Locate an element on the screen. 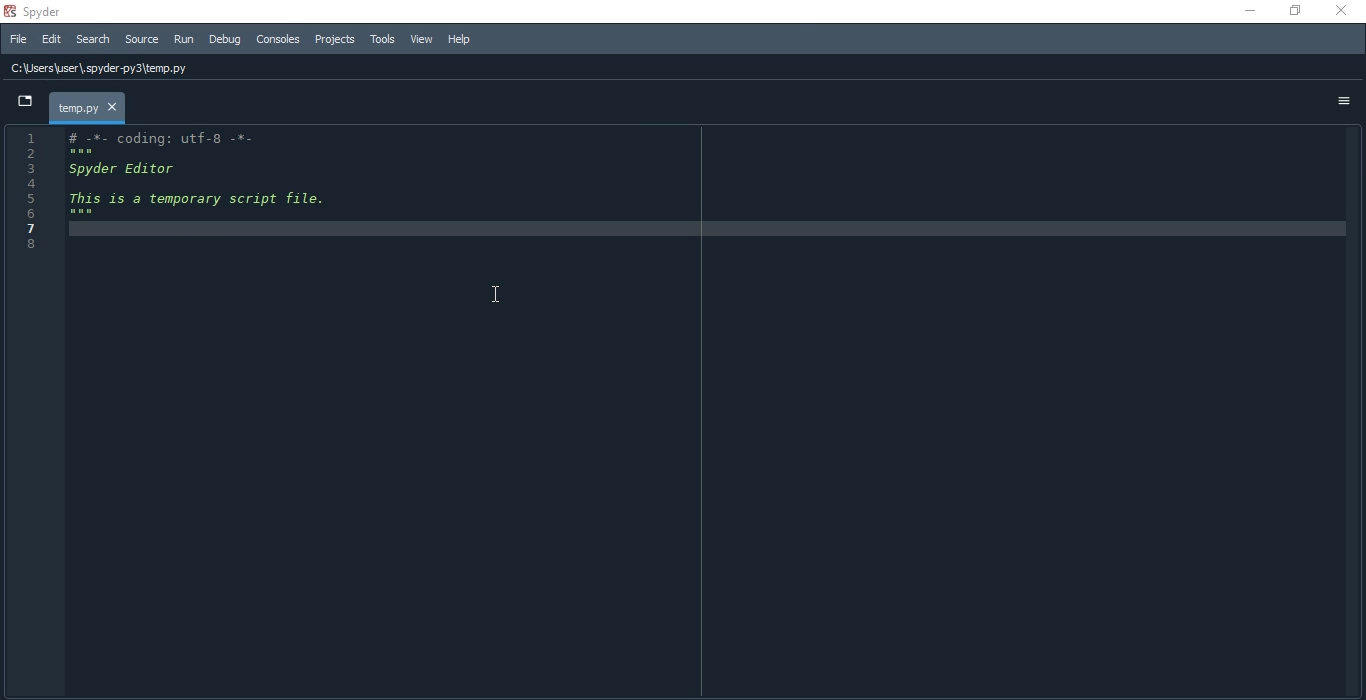 The height and width of the screenshot is (700, 1366). File  is located at coordinates (18, 39).